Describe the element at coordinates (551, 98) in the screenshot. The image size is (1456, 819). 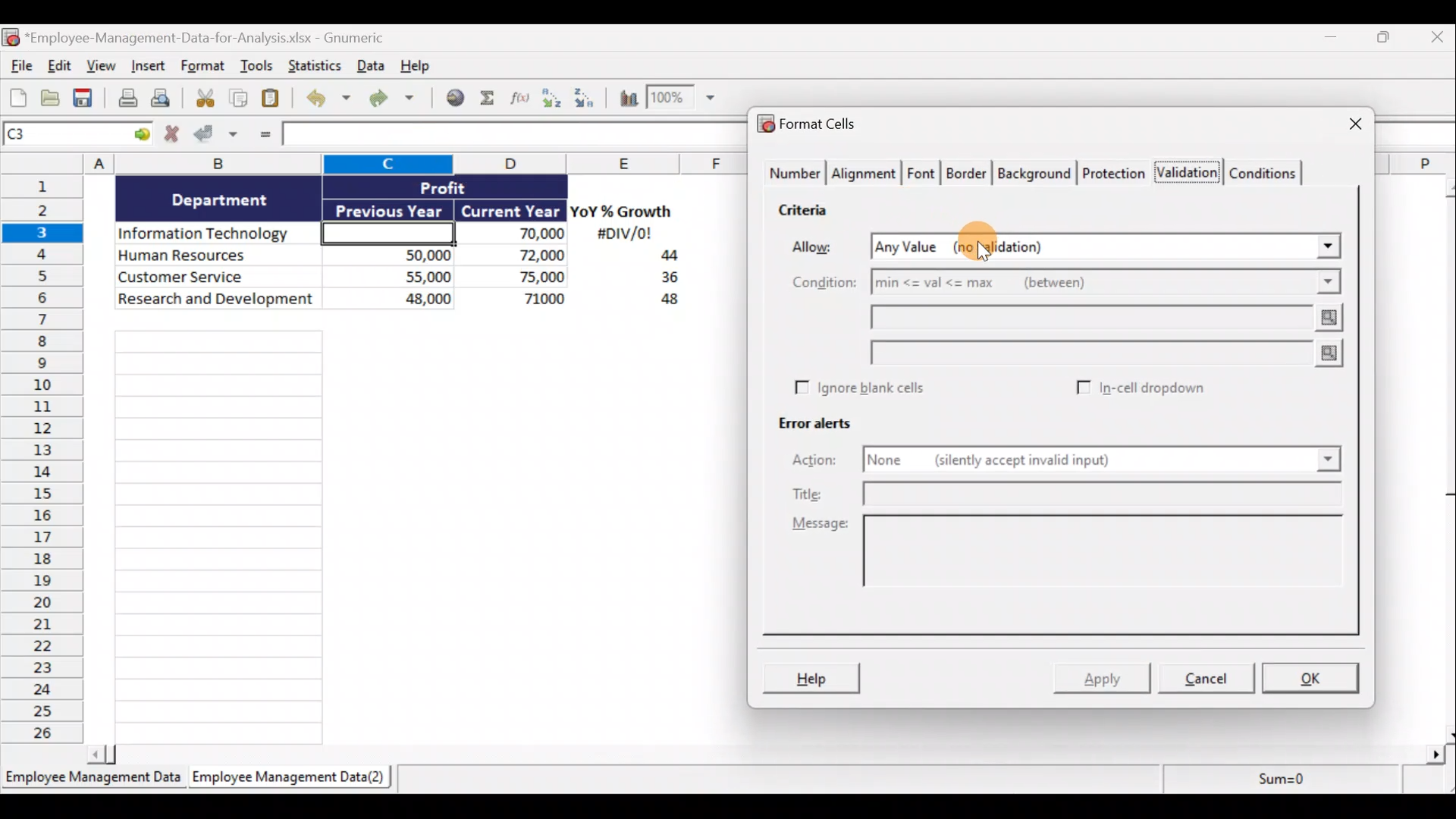
I see `Sort ascending` at that location.